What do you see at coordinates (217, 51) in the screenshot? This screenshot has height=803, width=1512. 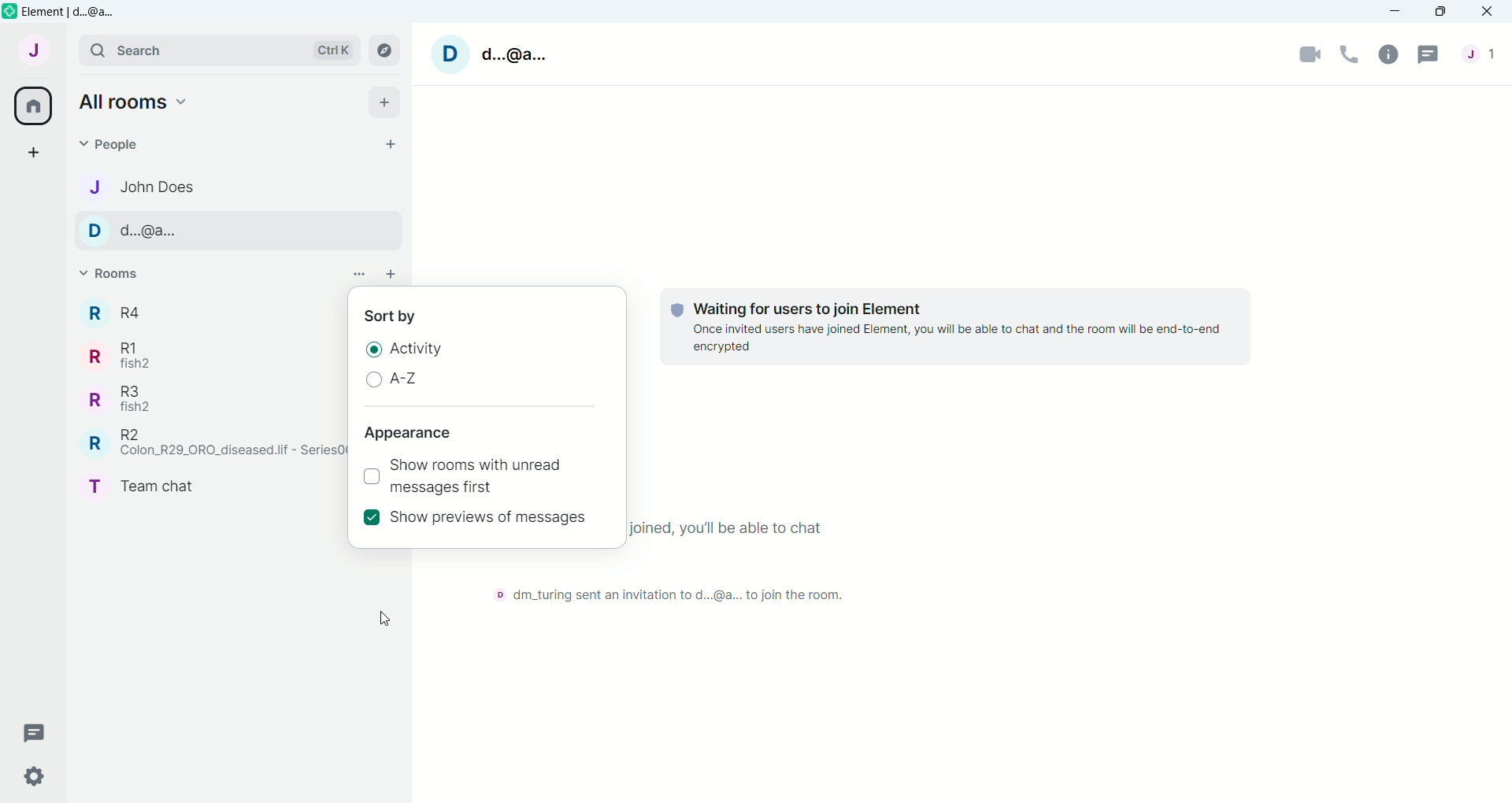 I see `search Ctrl K` at bounding box center [217, 51].